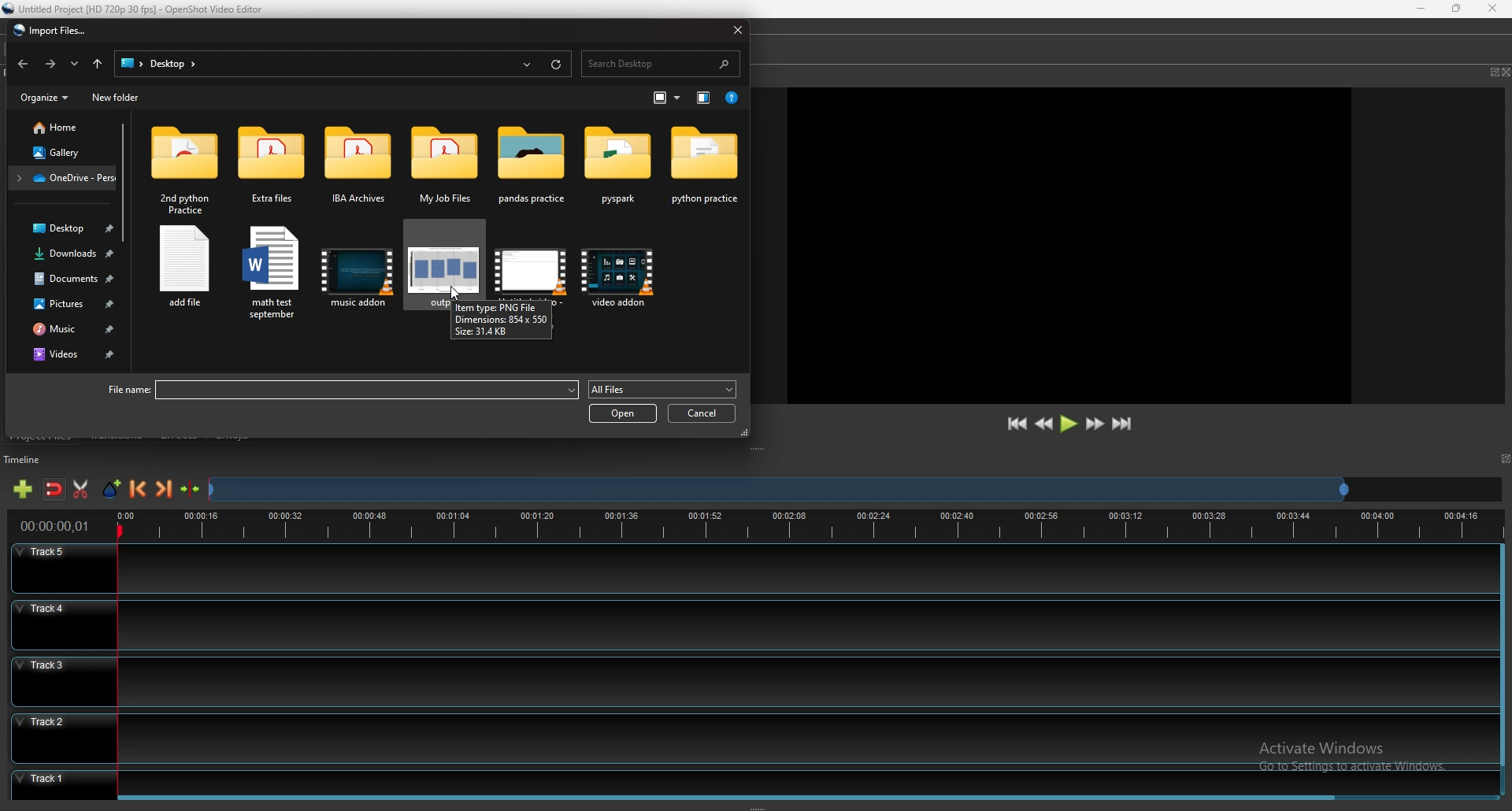 This screenshot has width=1512, height=811. What do you see at coordinates (49, 30) in the screenshot?
I see `import files` at bounding box center [49, 30].